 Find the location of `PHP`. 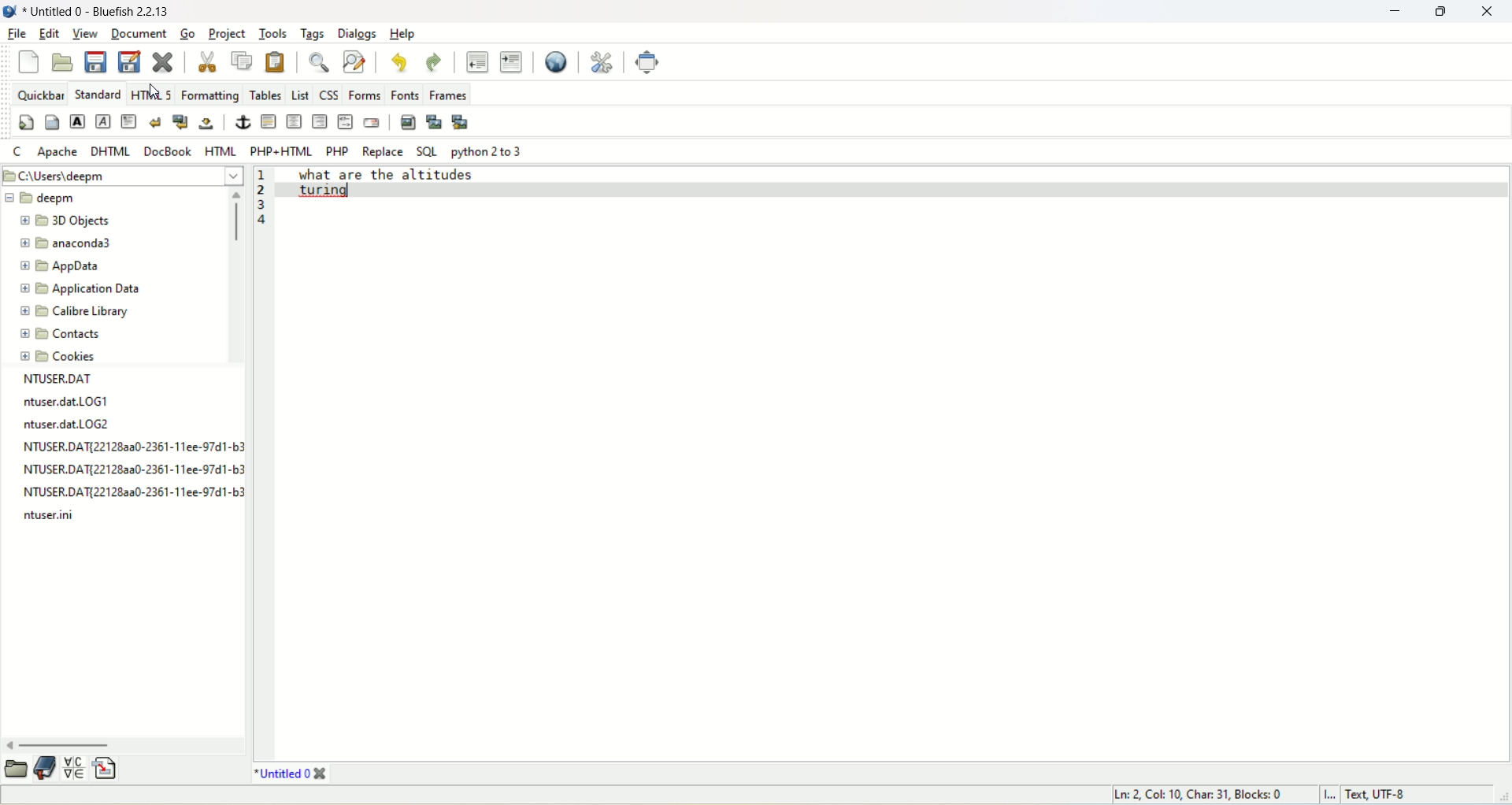

PHP is located at coordinates (339, 150).